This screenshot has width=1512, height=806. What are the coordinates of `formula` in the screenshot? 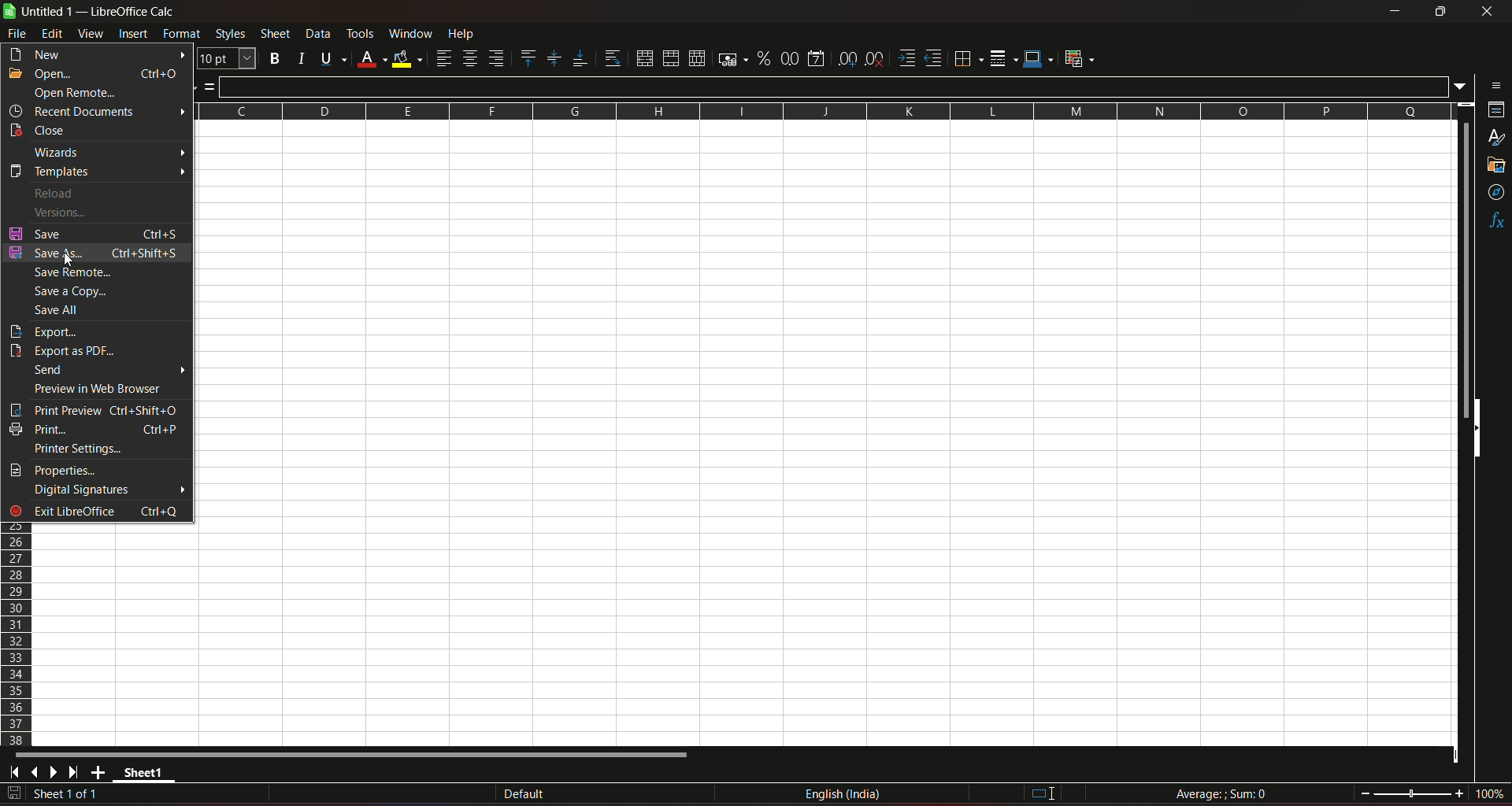 It's located at (1221, 793).